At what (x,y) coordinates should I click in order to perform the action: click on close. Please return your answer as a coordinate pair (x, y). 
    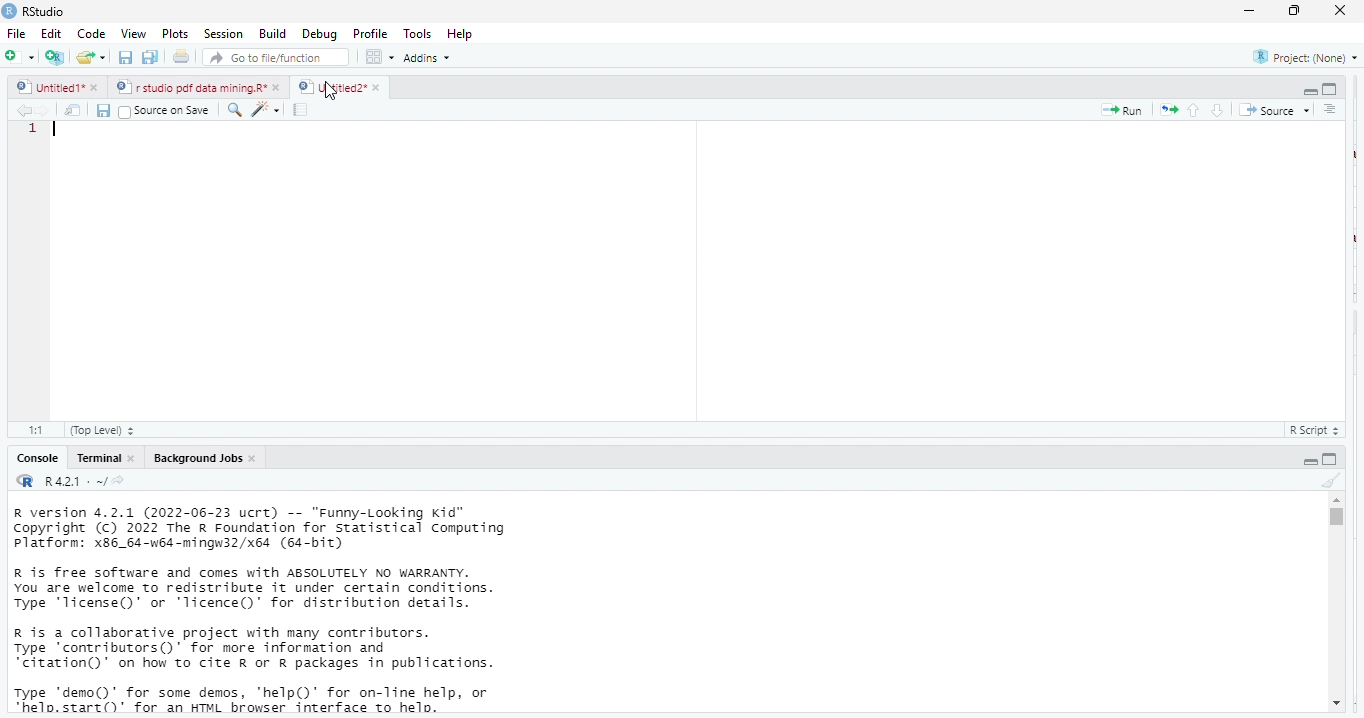
    Looking at the image, I should click on (132, 458).